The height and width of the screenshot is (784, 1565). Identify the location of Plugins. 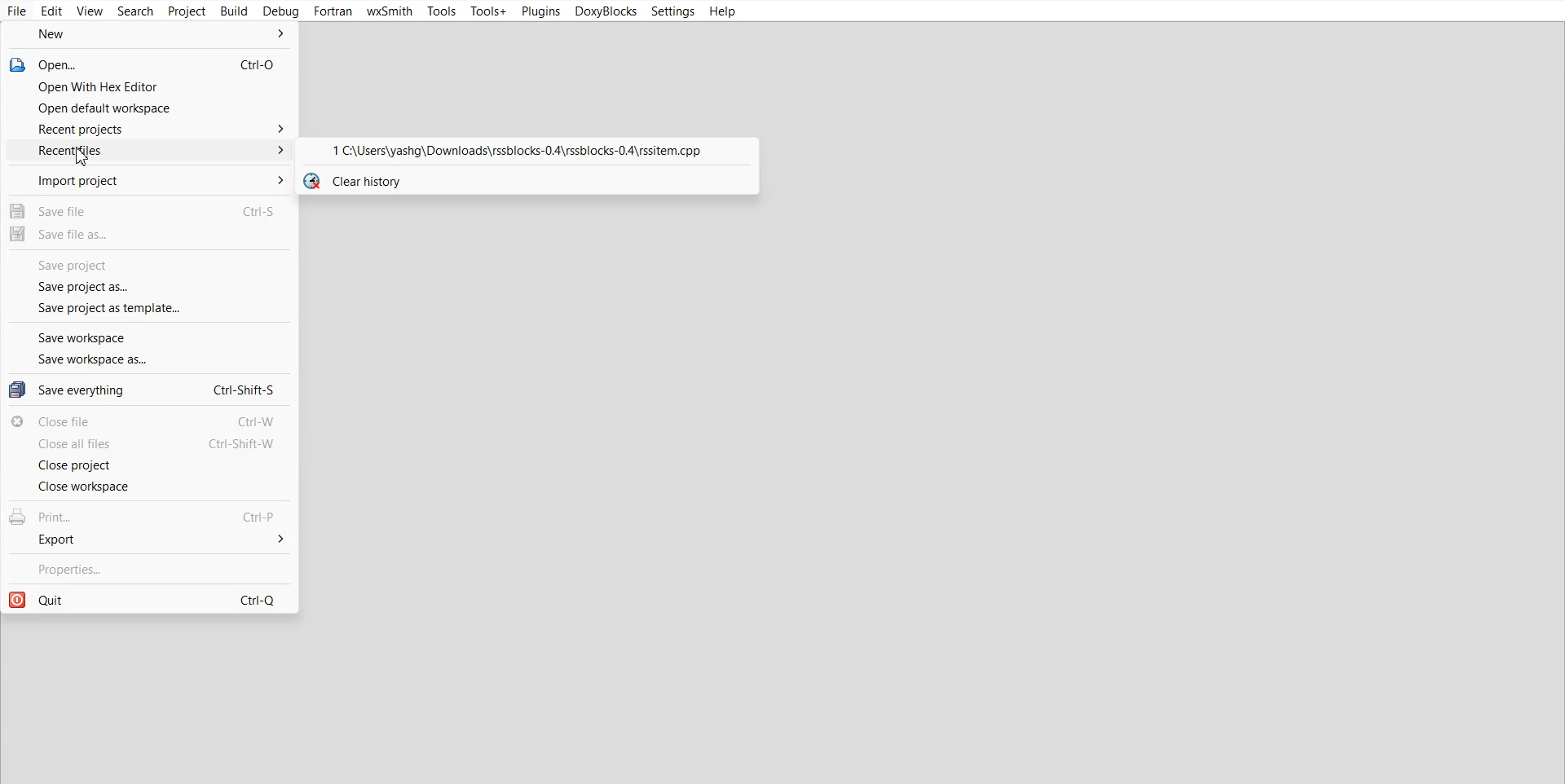
(540, 11).